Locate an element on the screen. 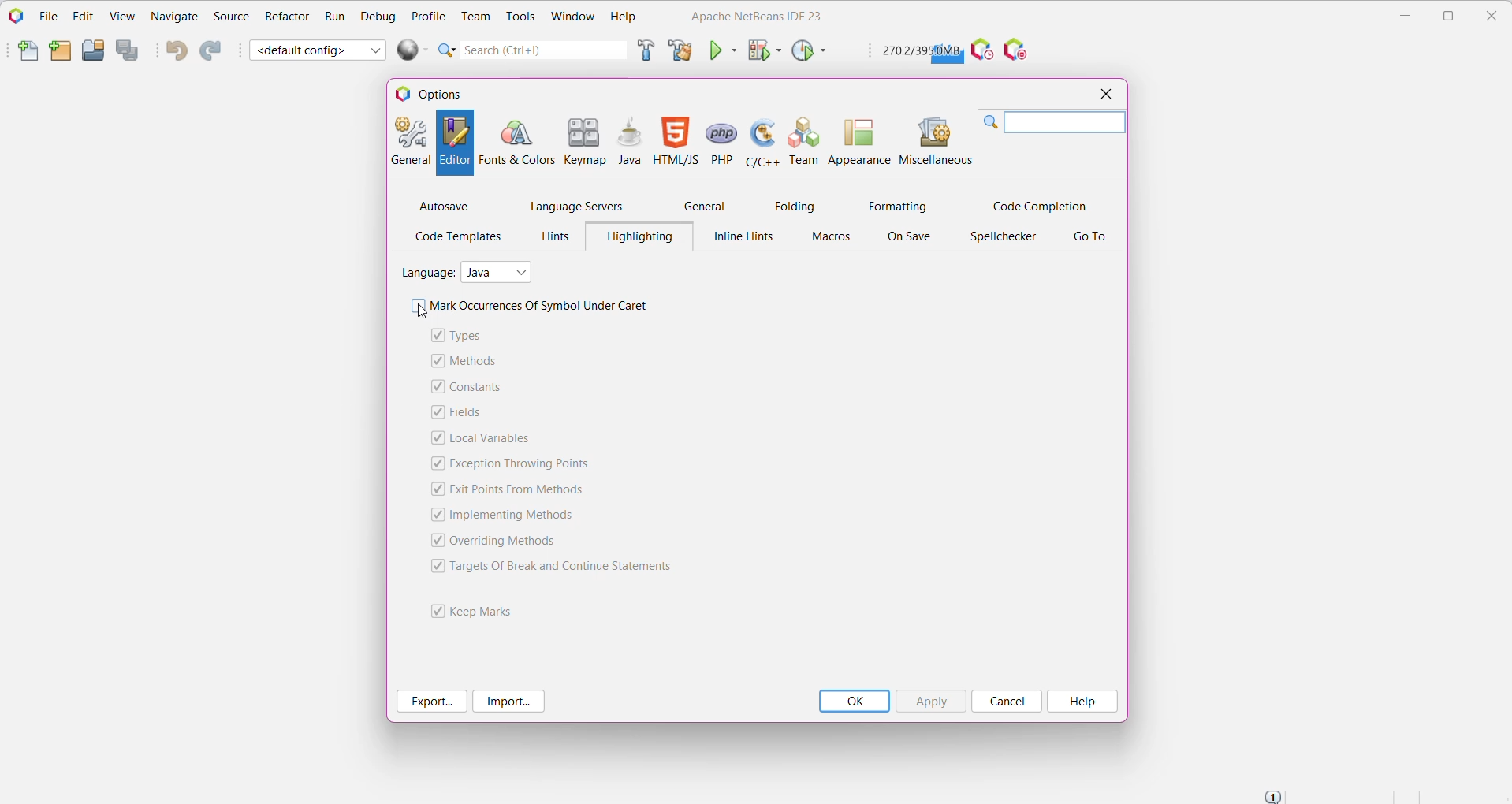 The image size is (1512, 804). Inline Hints is located at coordinates (746, 238).